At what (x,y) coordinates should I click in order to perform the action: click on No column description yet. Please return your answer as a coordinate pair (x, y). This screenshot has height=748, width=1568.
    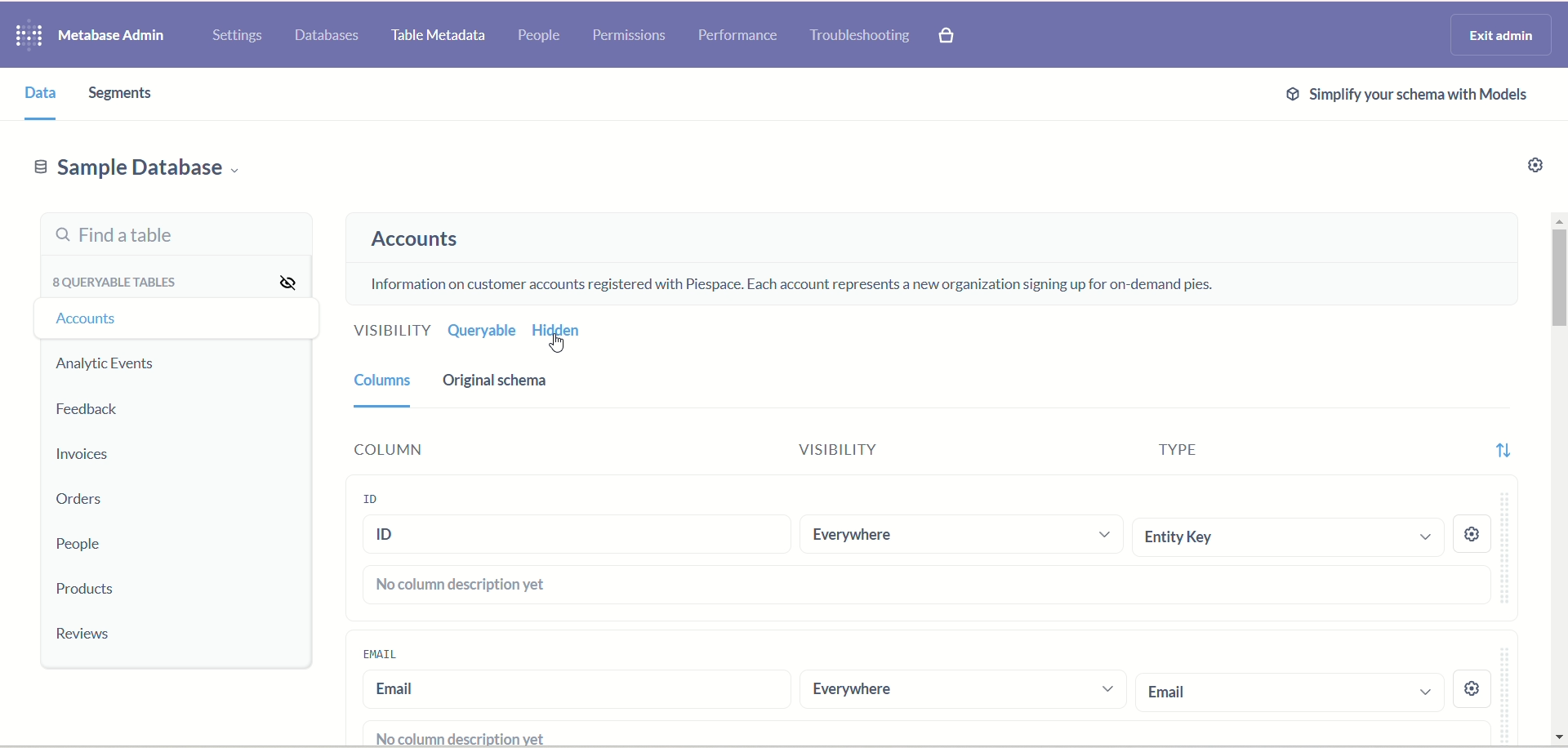
    Looking at the image, I should click on (462, 586).